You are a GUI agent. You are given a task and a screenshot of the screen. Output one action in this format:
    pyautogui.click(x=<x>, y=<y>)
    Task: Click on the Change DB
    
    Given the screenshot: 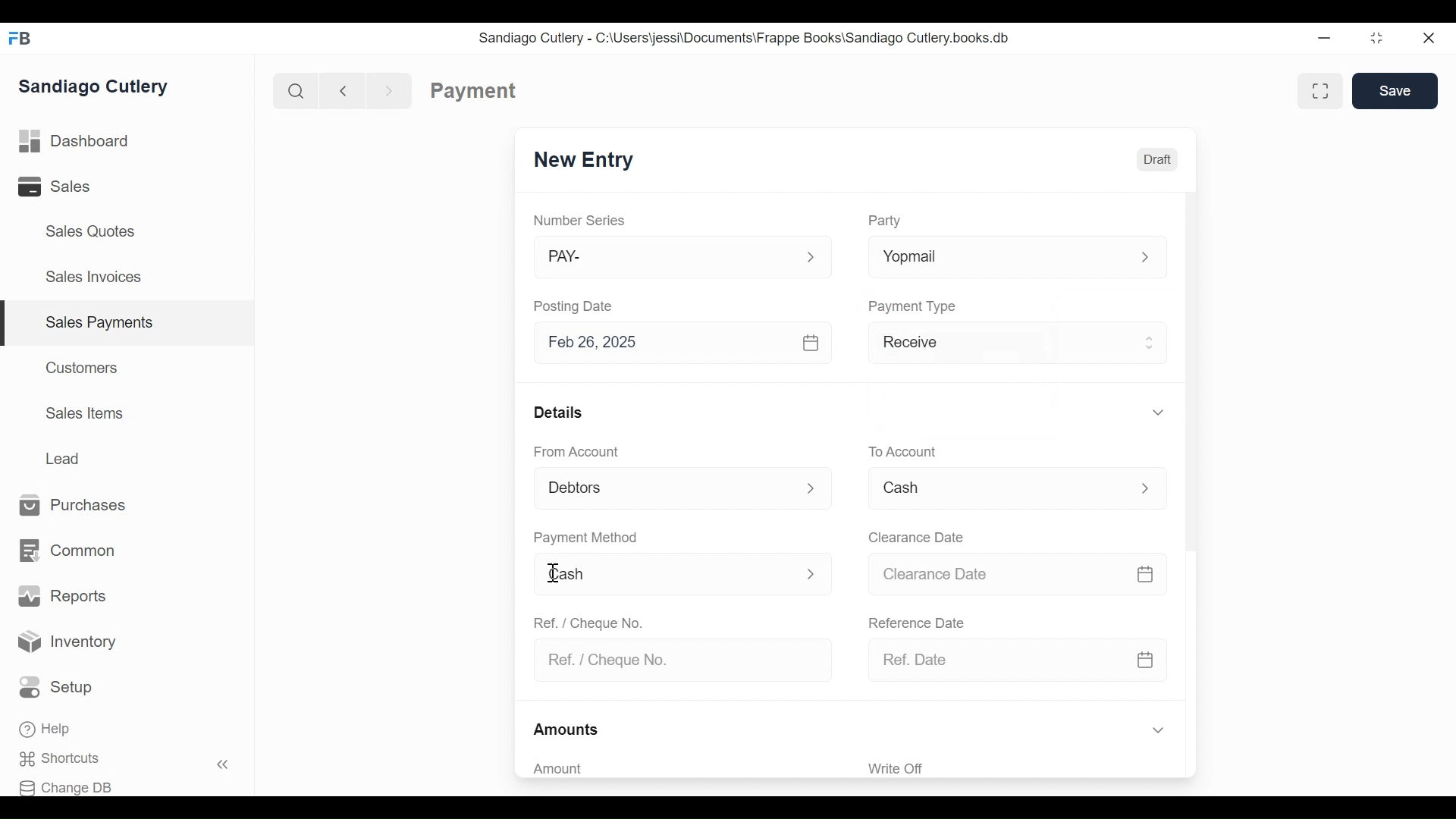 What is the action you would take?
    pyautogui.click(x=71, y=786)
    